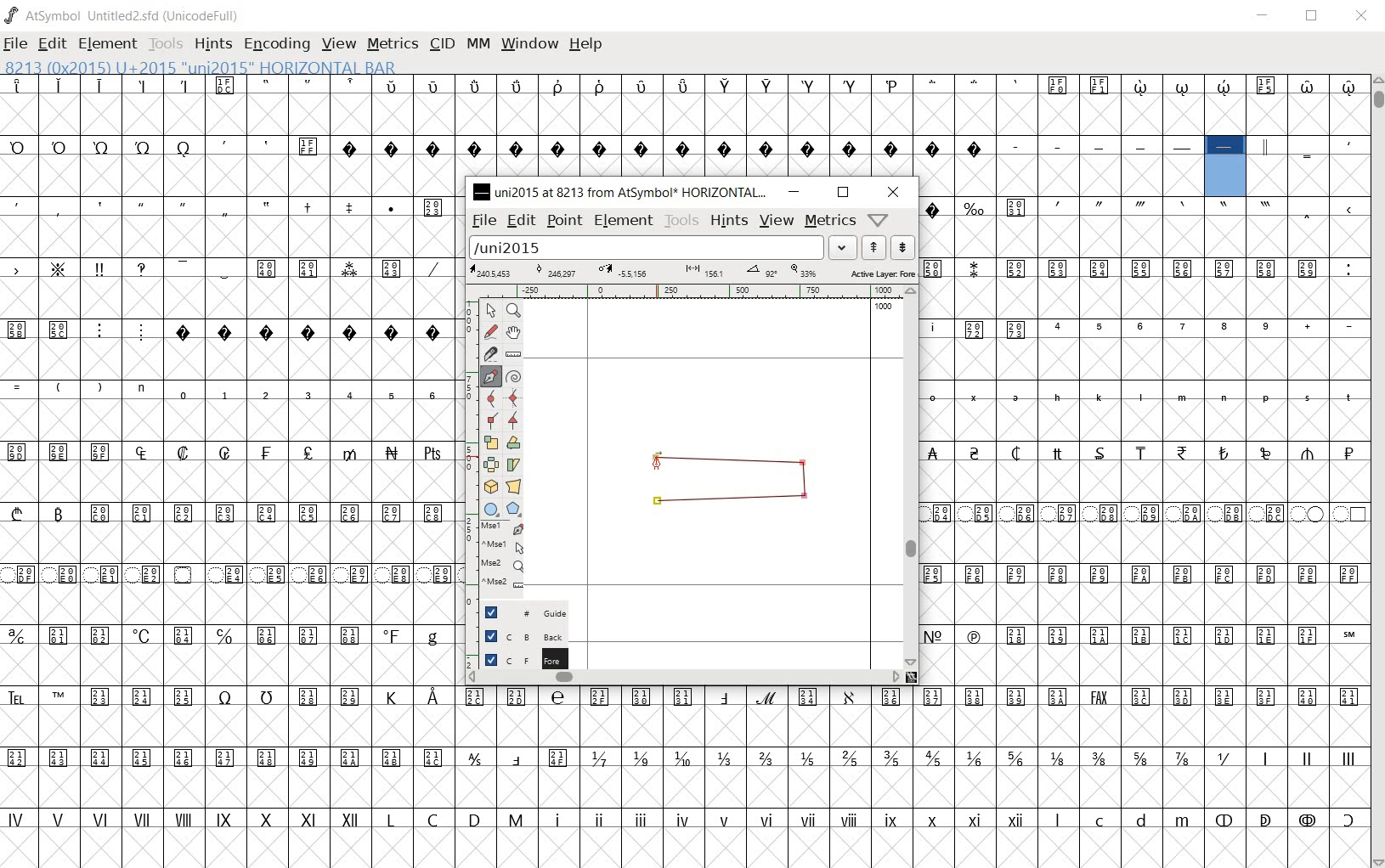 Image resolution: width=1385 pixels, height=868 pixels. I want to click on Active Layer: Fore, so click(692, 273).